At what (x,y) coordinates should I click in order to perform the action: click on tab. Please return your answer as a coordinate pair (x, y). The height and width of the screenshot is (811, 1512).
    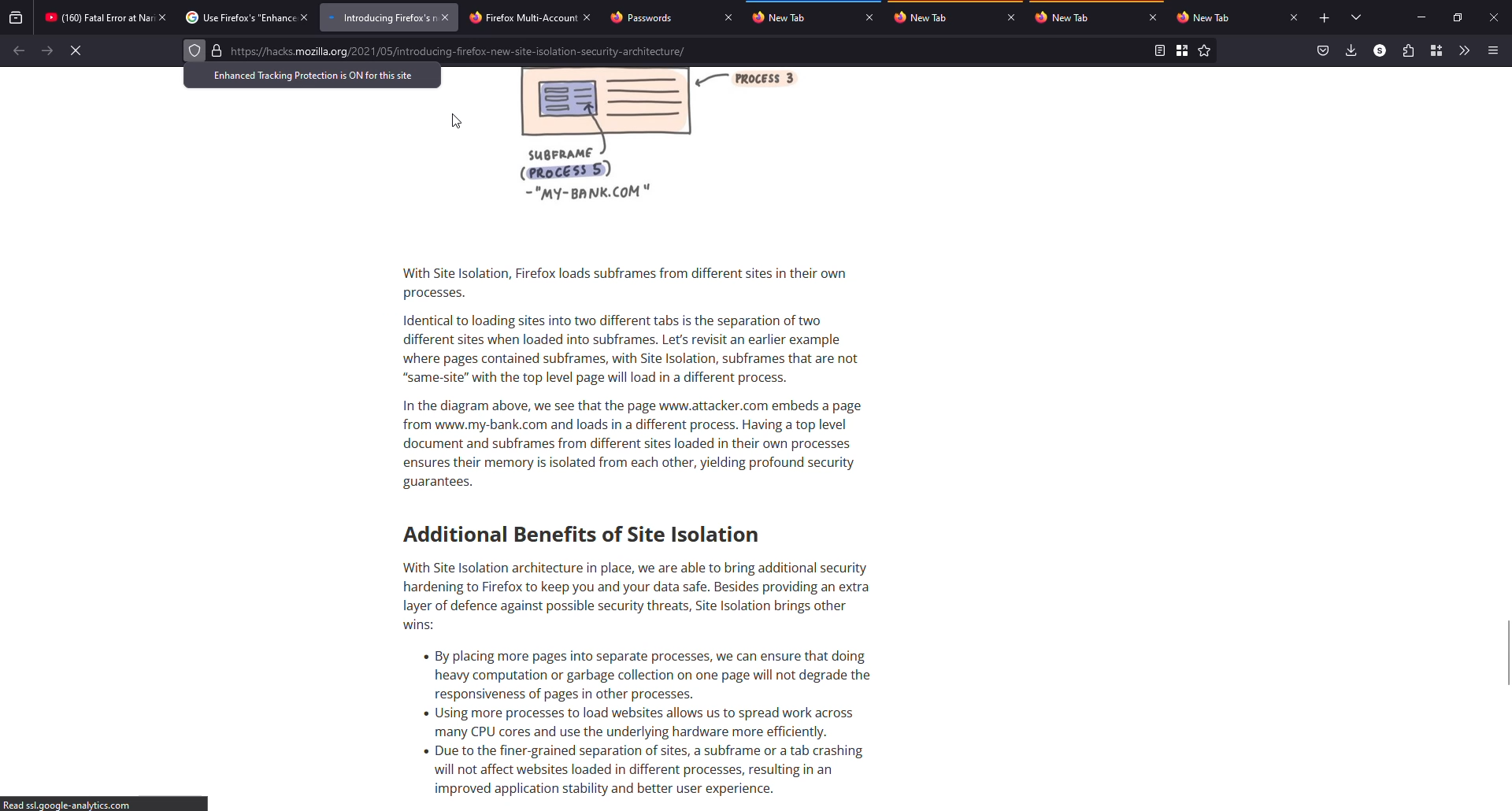
    Looking at the image, I should click on (646, 17).